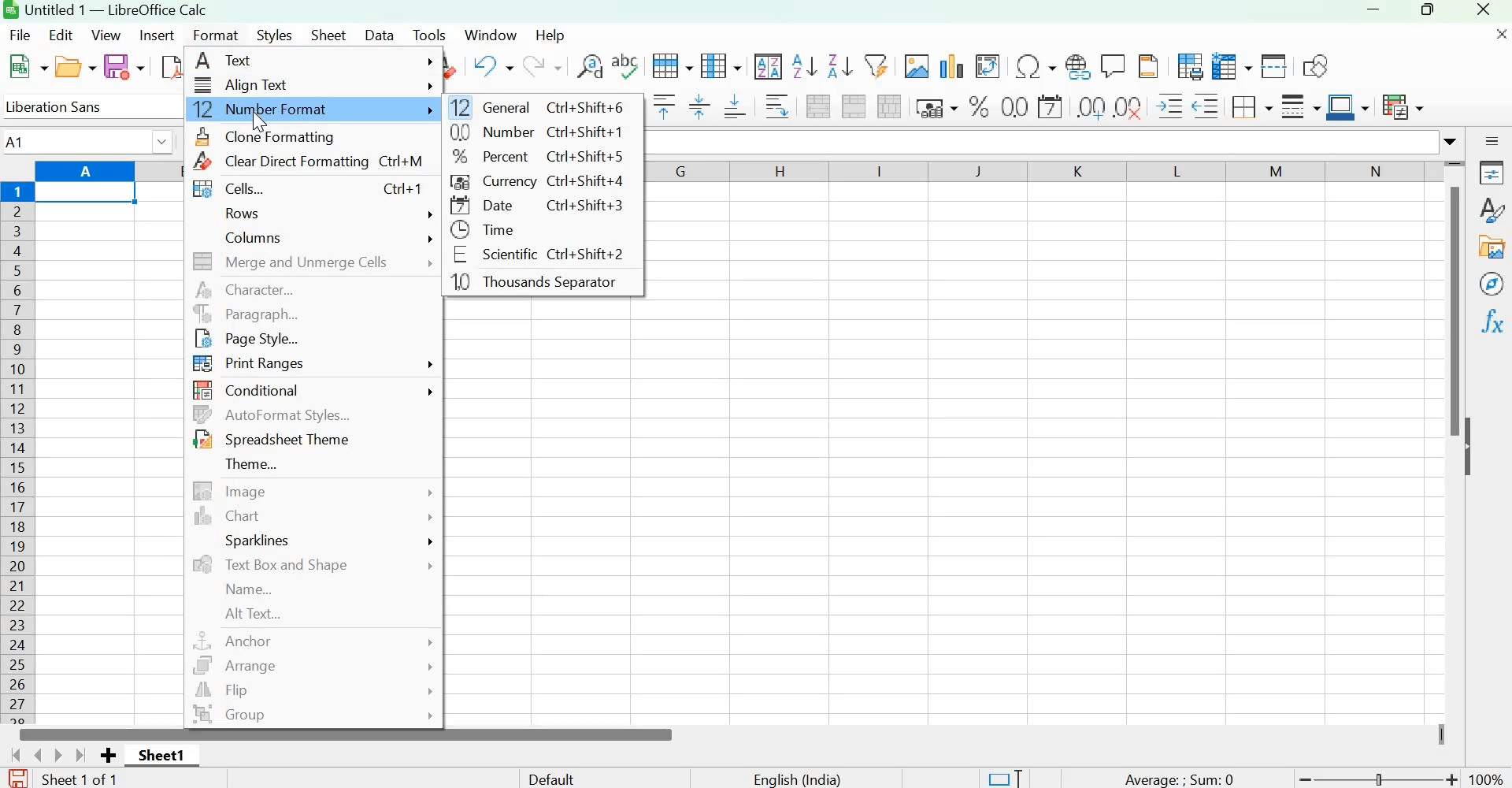  I want to click on View, so click(108, 35).